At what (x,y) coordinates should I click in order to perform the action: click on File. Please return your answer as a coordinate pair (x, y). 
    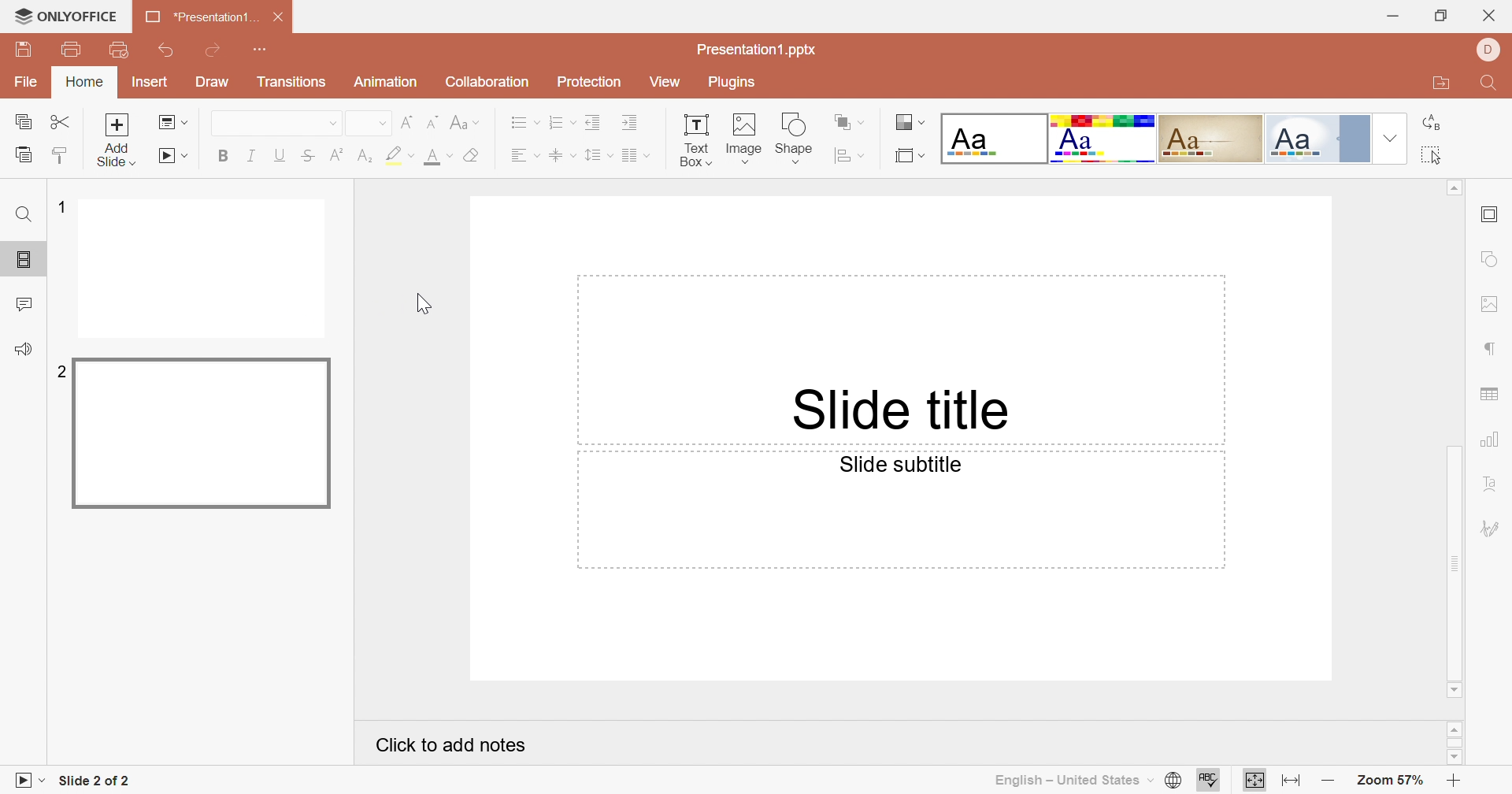
    Looking at the image, I should click on (26, 83).